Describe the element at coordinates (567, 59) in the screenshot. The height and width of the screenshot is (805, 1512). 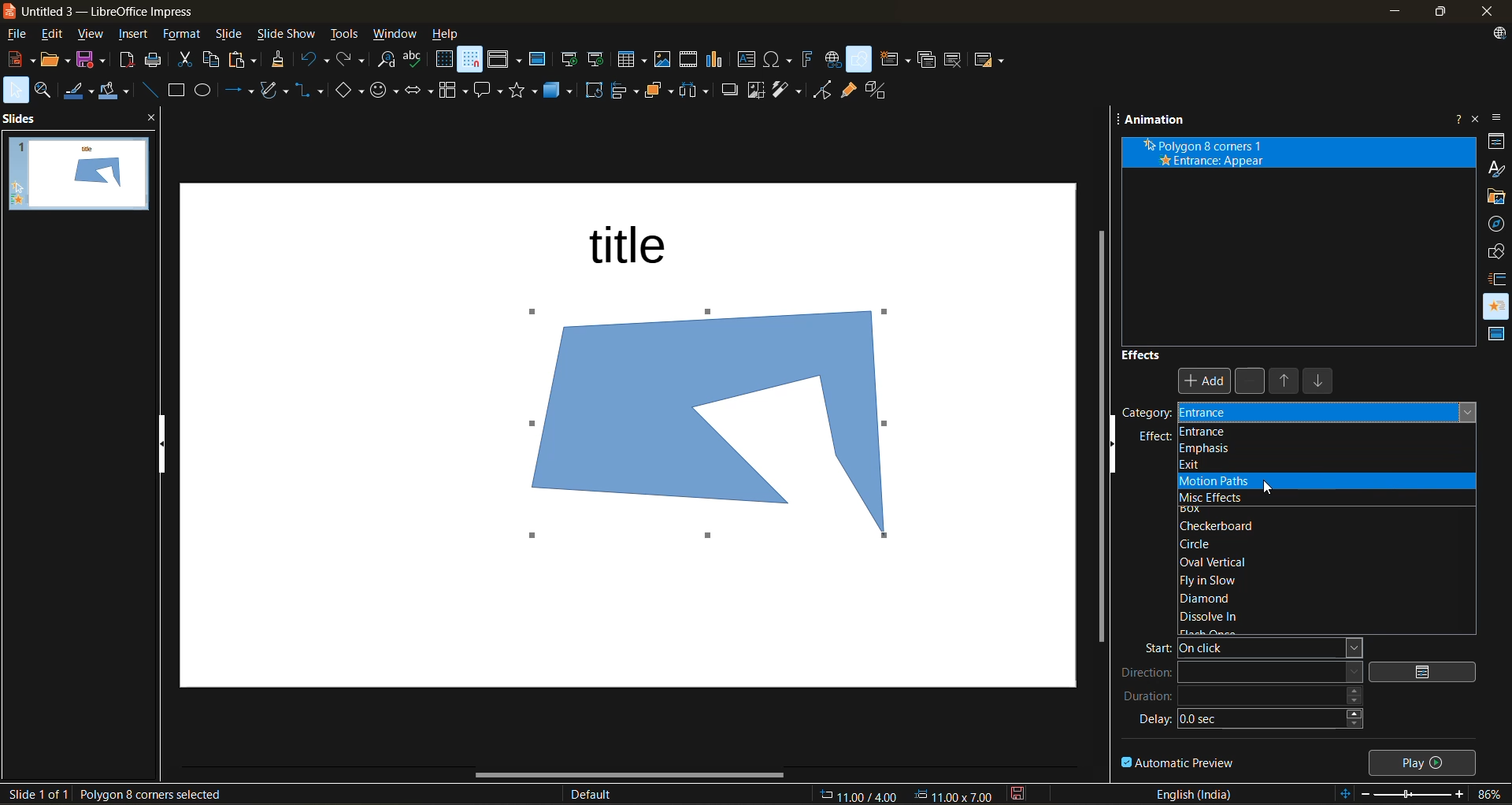
I see `start from first slide` at that location.